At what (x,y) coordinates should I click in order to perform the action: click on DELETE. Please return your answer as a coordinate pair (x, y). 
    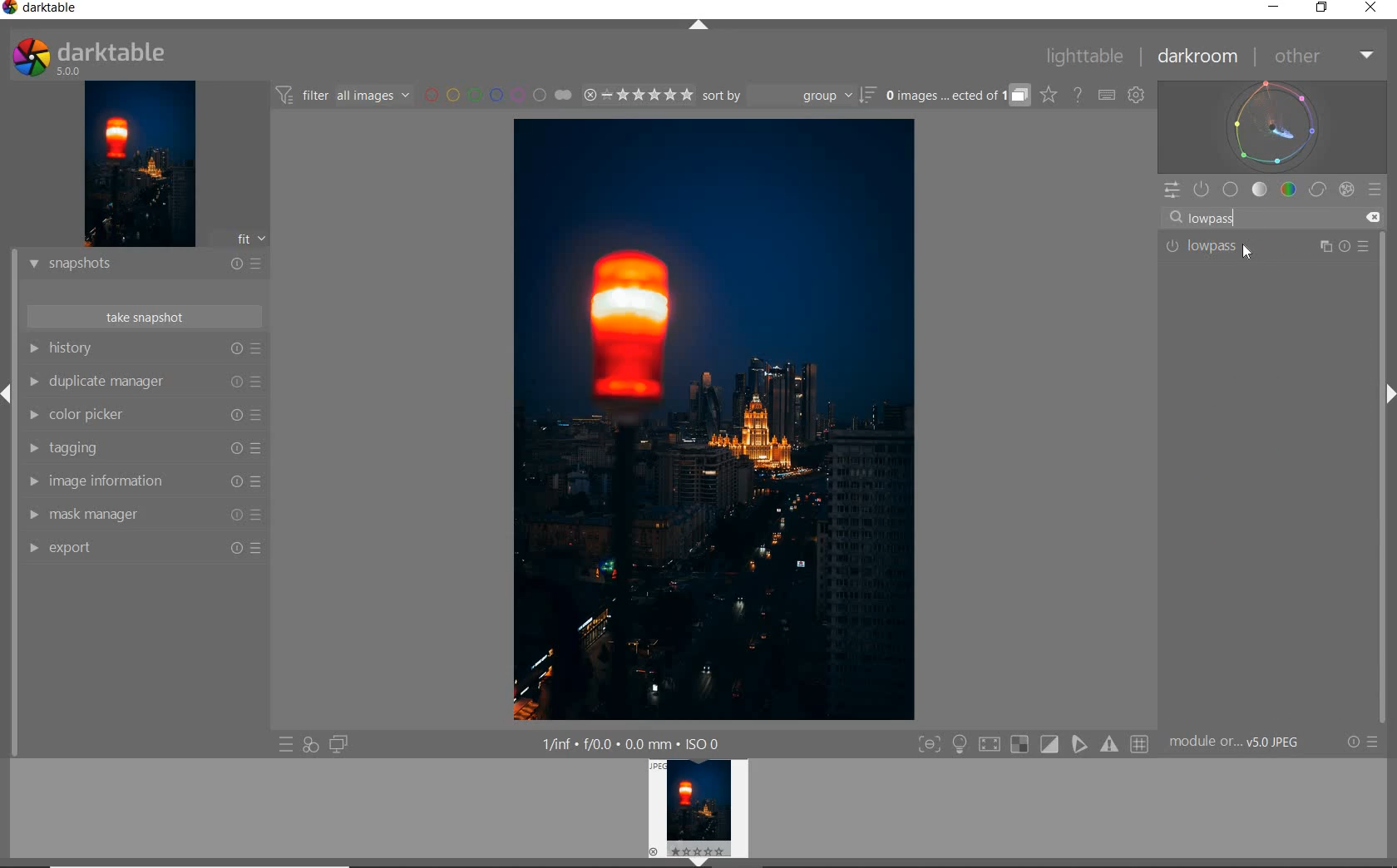
    Looking at the image, I should click on (1375, 219).